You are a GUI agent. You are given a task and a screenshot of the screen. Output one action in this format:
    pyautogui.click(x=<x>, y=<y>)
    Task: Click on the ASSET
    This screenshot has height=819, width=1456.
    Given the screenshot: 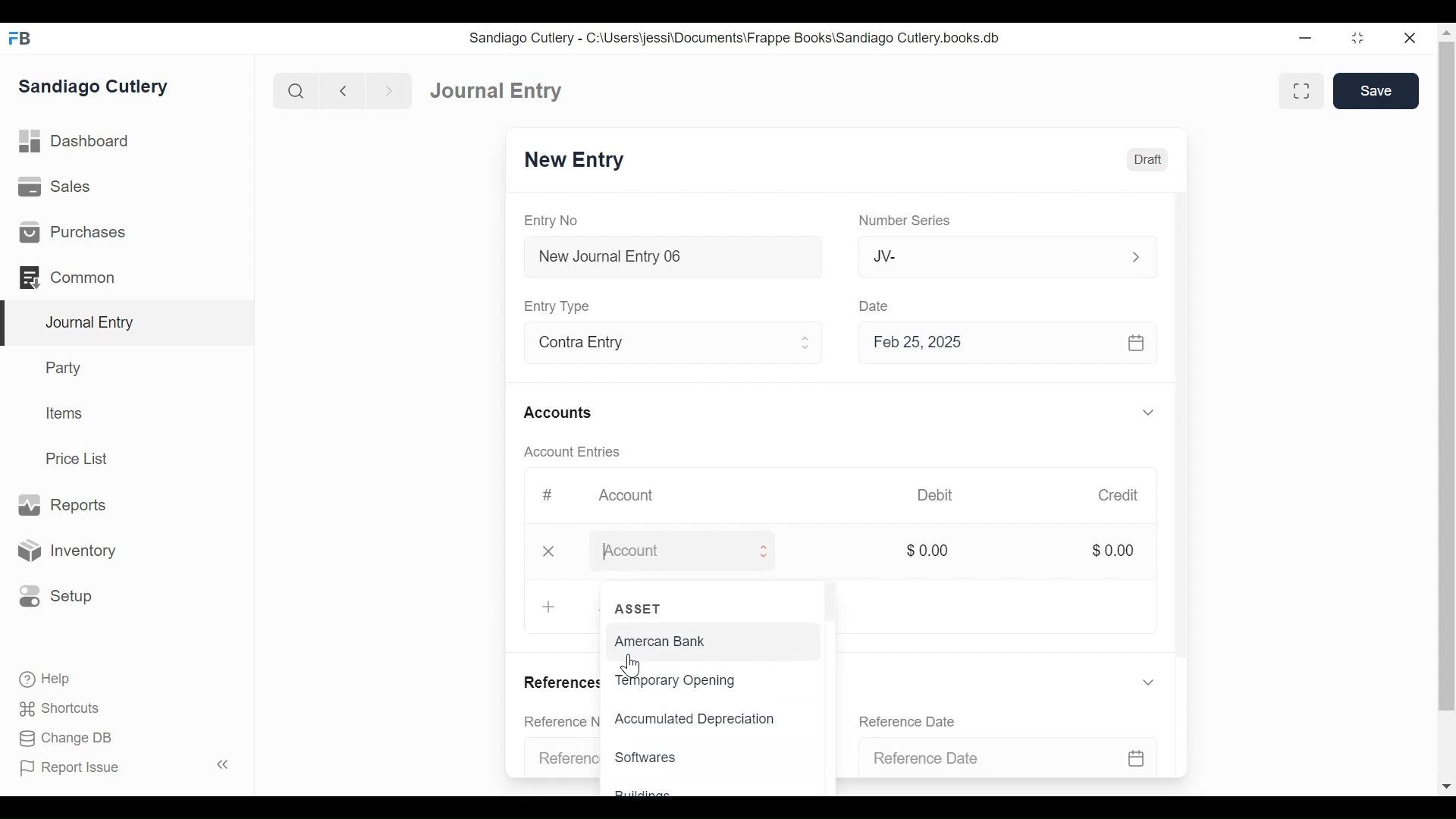 What is the action you would take?
    pyautogui.click(x=638, y=608)
    